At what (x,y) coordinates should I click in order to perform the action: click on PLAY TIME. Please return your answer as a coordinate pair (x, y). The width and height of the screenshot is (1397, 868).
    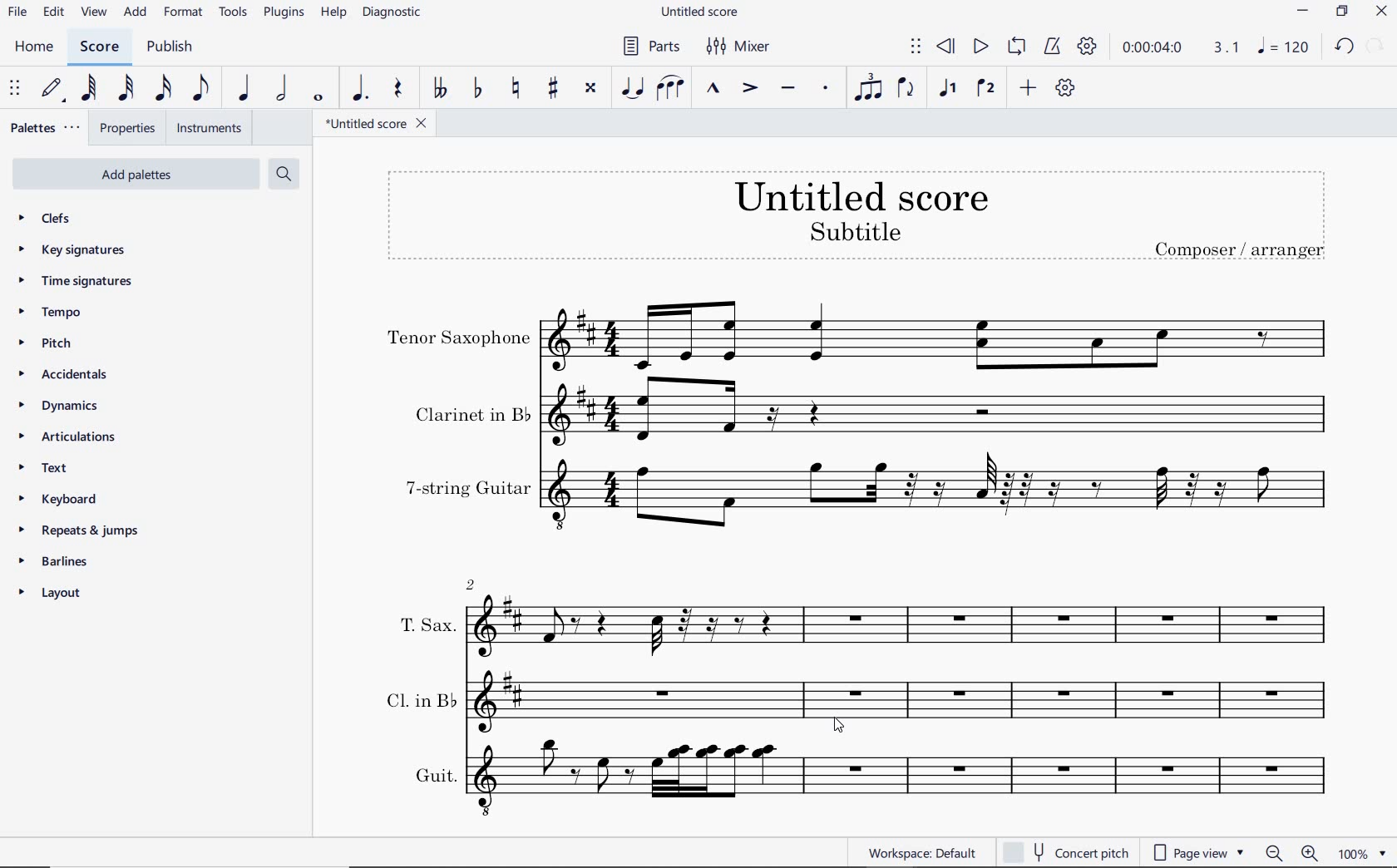
    Looking at the image, I should click on (1181, 48).